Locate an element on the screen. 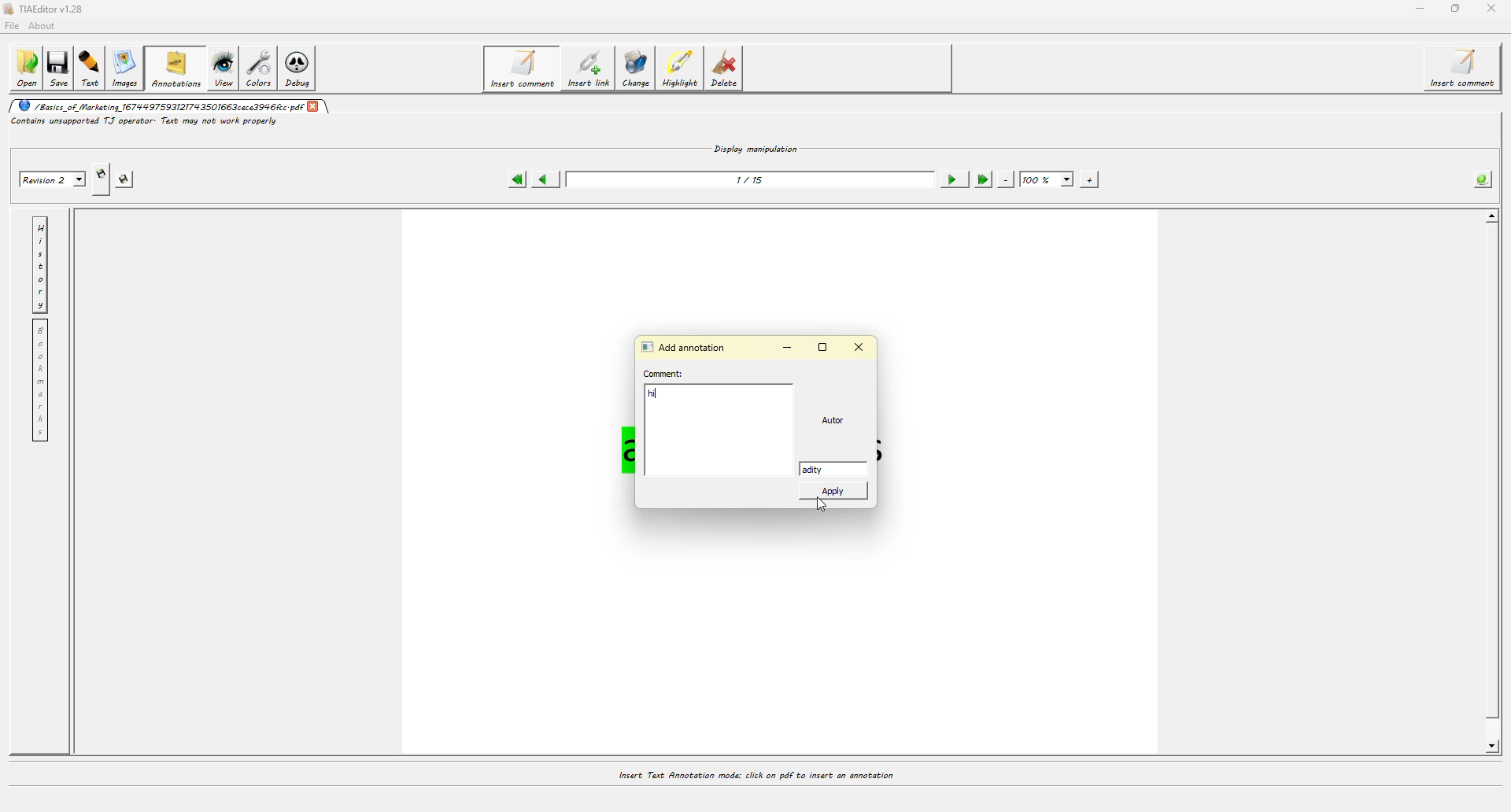 The width and height of the screenshot is (1511, 812). saves this revision is located at coordinates (129, 179).